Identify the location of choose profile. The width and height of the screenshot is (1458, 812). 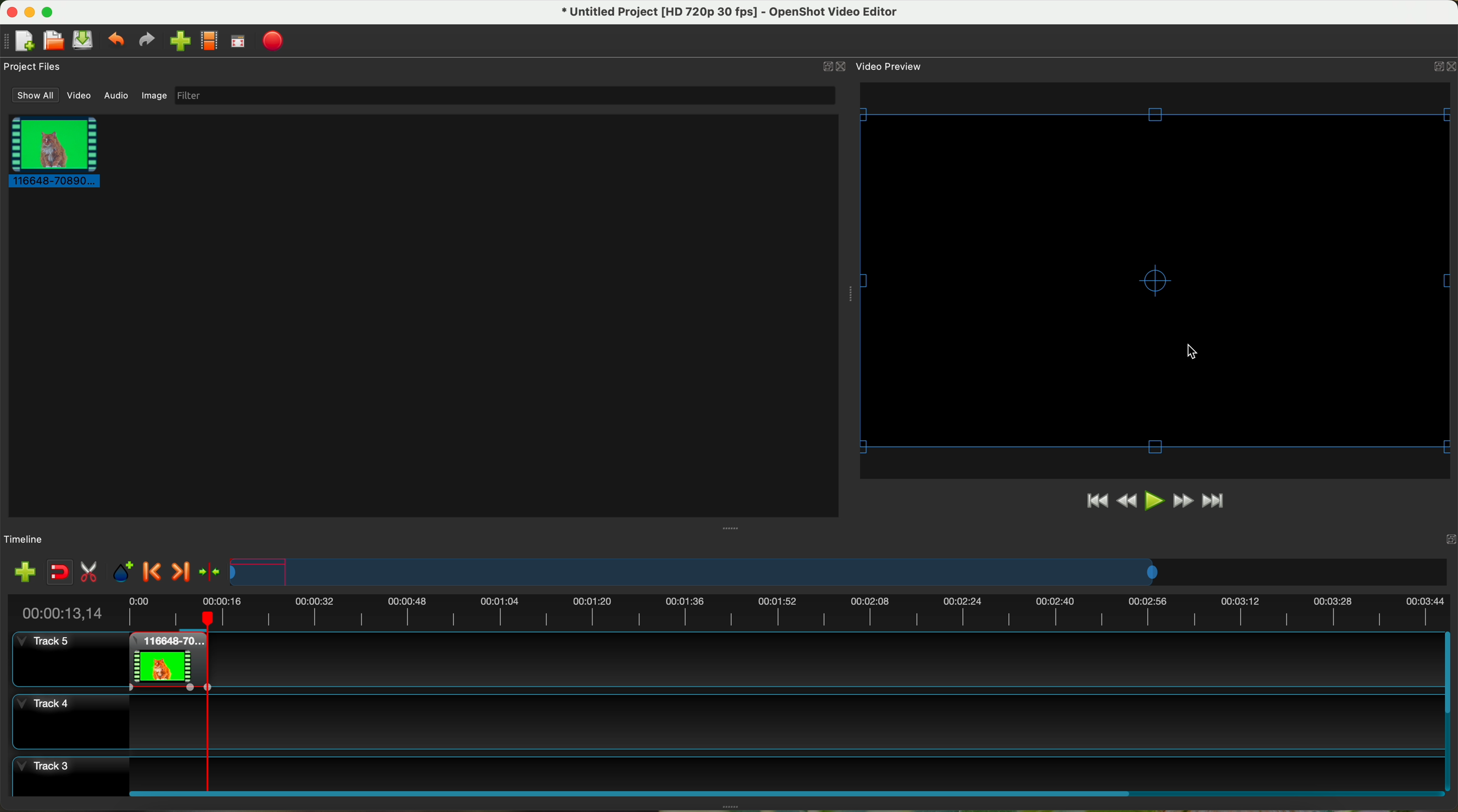
(209, 41).